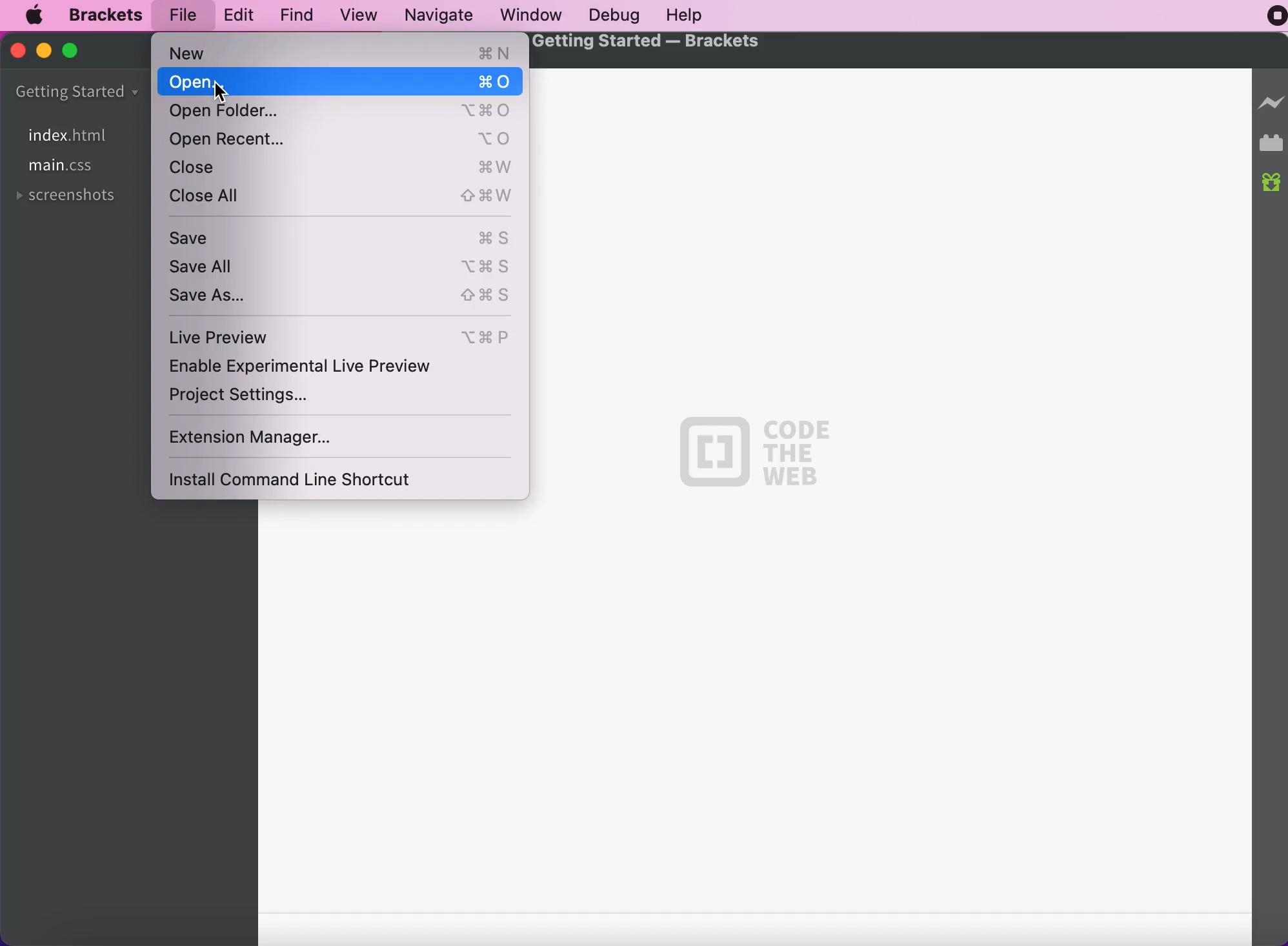 Image resolution: width=1288 pixels, height=946 pixels. I want to click on index.html, so click(85, 134).